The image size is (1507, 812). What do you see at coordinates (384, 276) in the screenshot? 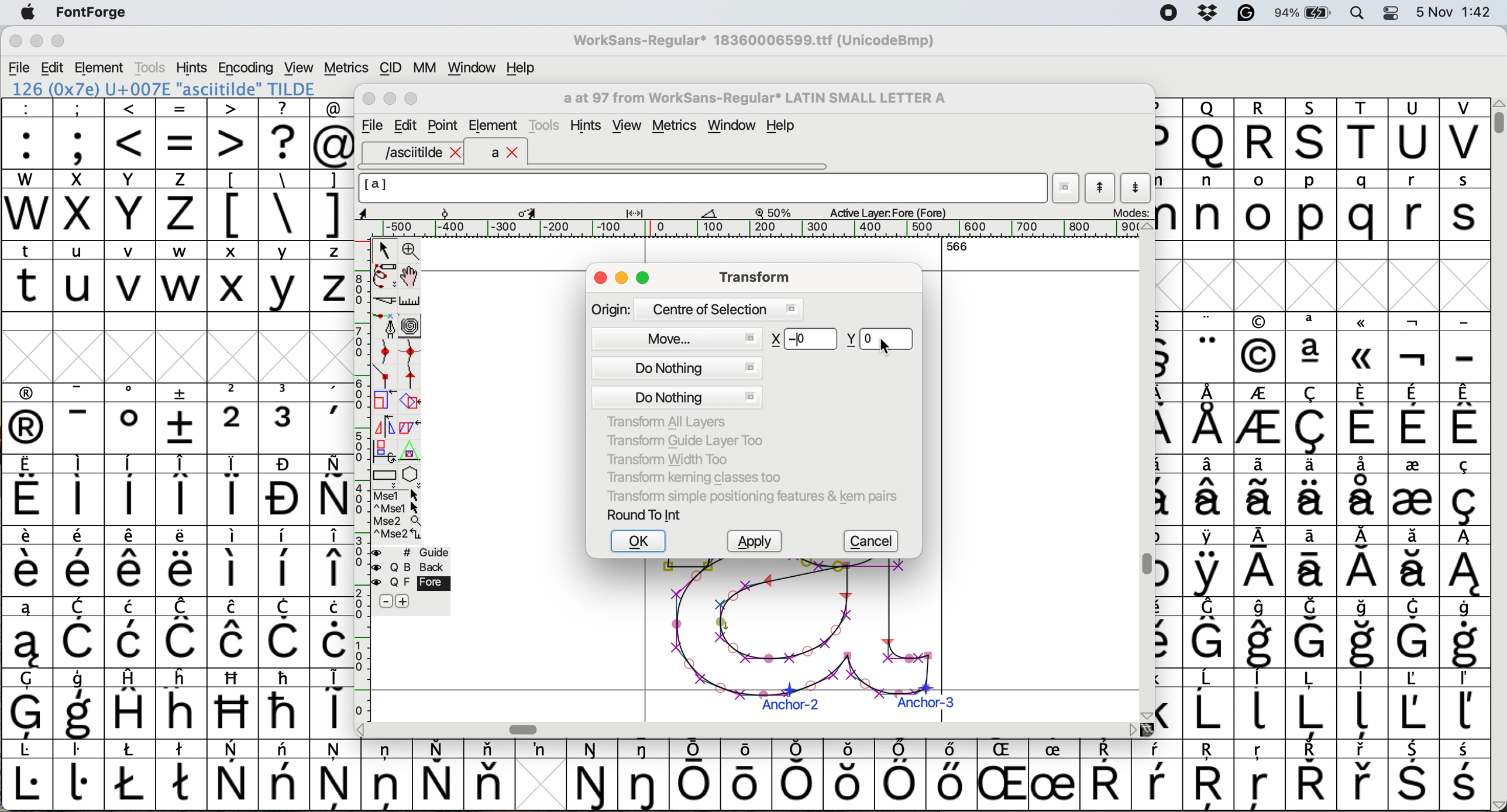
I see `draw freehand curve` at bounding box center [384, 276].